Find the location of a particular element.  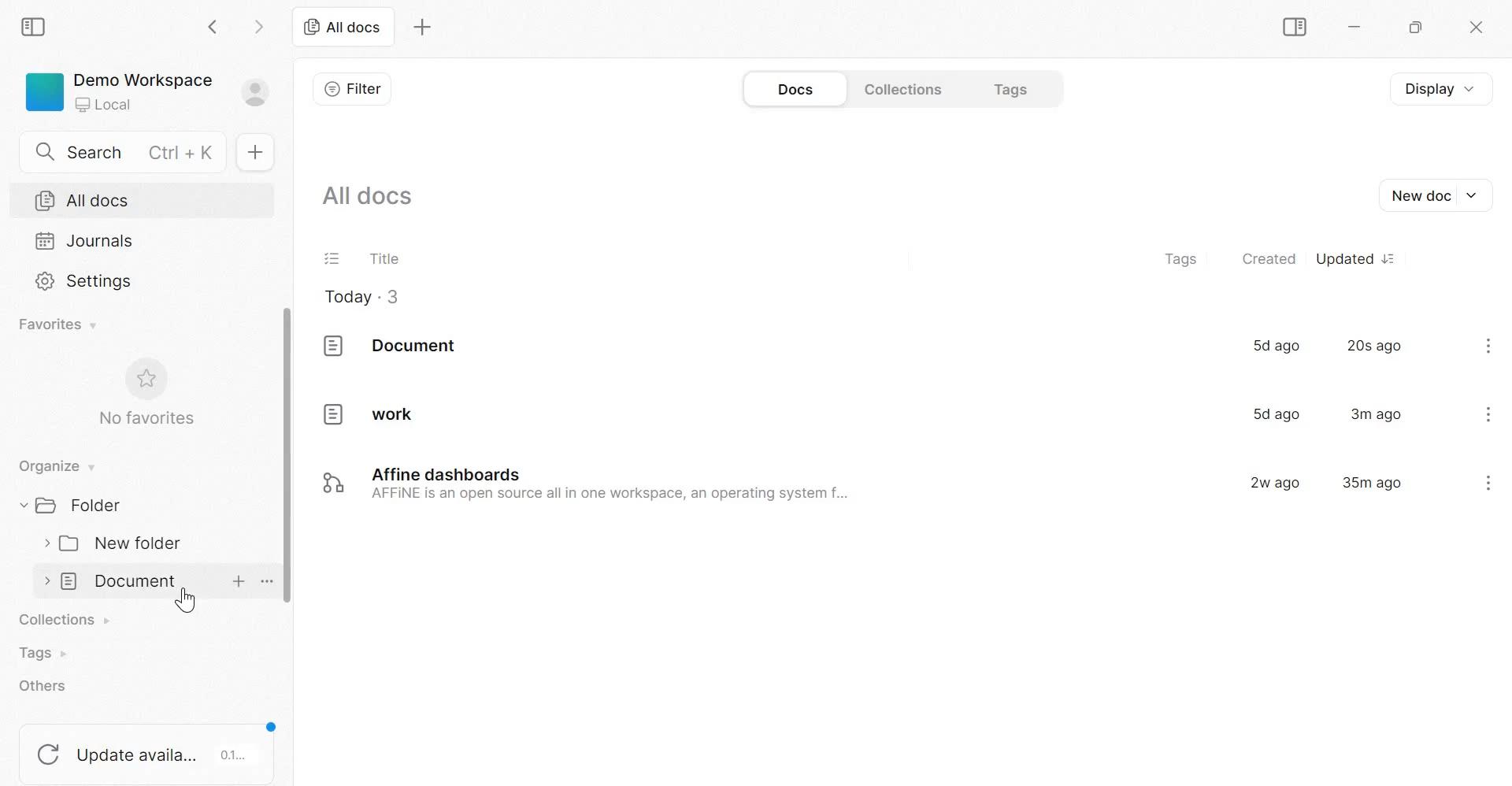

All docs is located at coordinates (84, 201).